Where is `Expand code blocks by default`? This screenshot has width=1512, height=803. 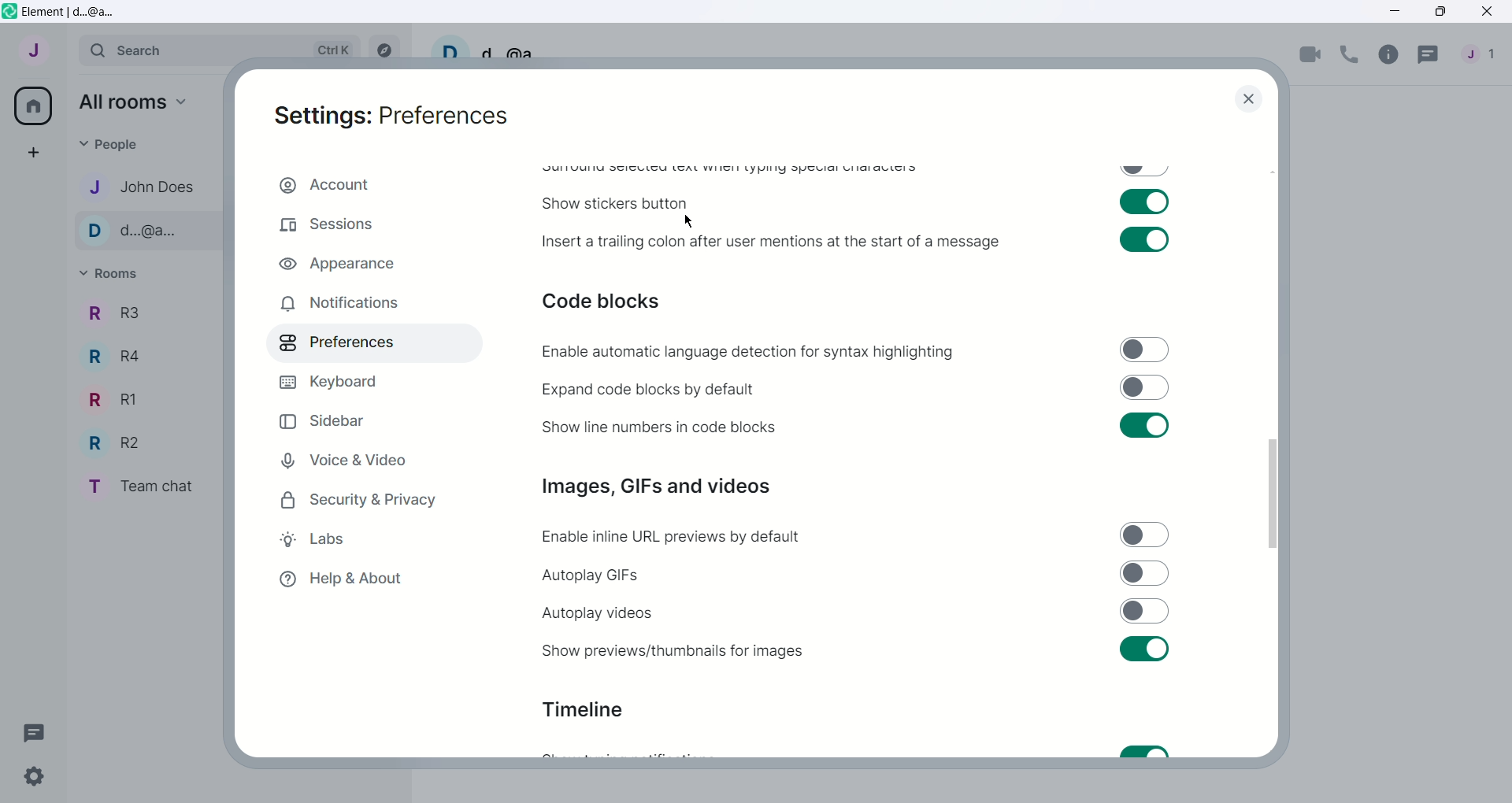 Expand code blocks by default is located at coordinates (650, 390).